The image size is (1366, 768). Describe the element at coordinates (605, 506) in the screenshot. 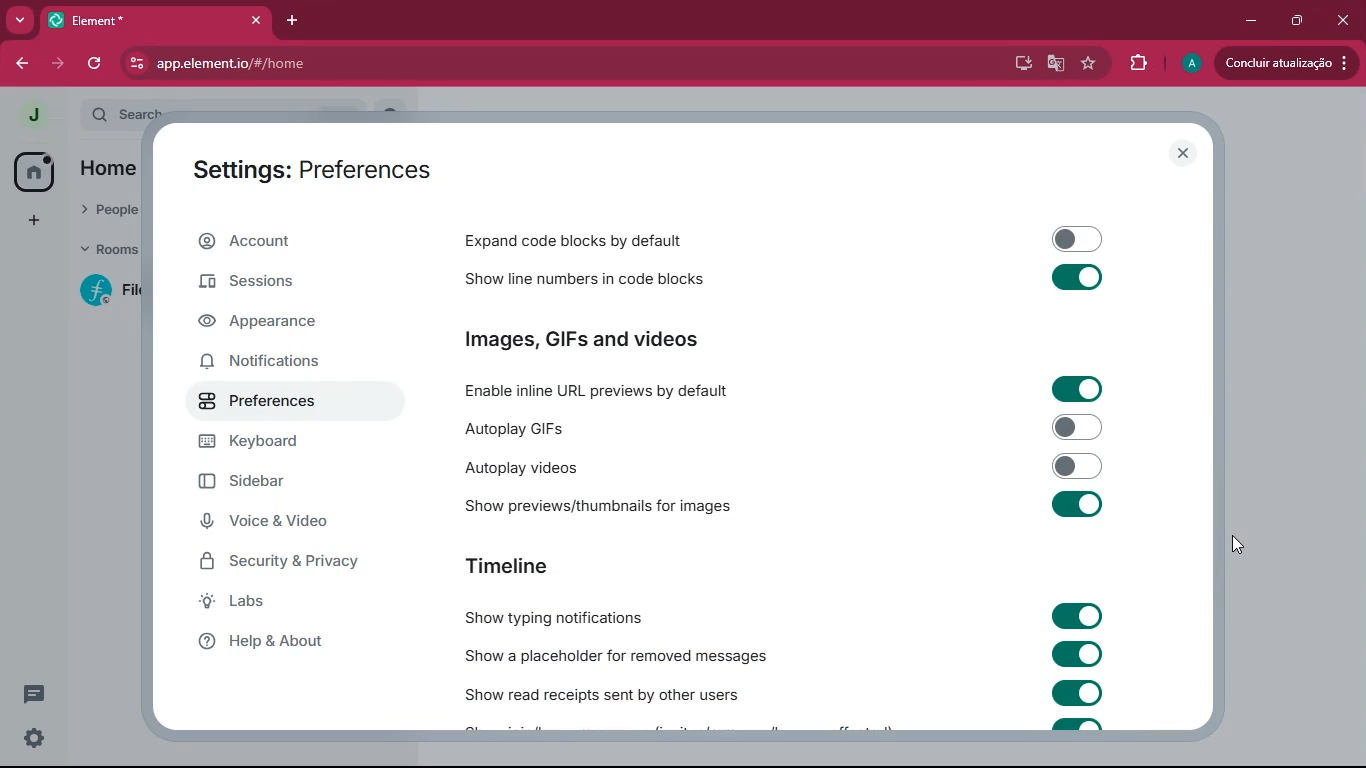

I see `show previews/thumbnails for images` at that location.